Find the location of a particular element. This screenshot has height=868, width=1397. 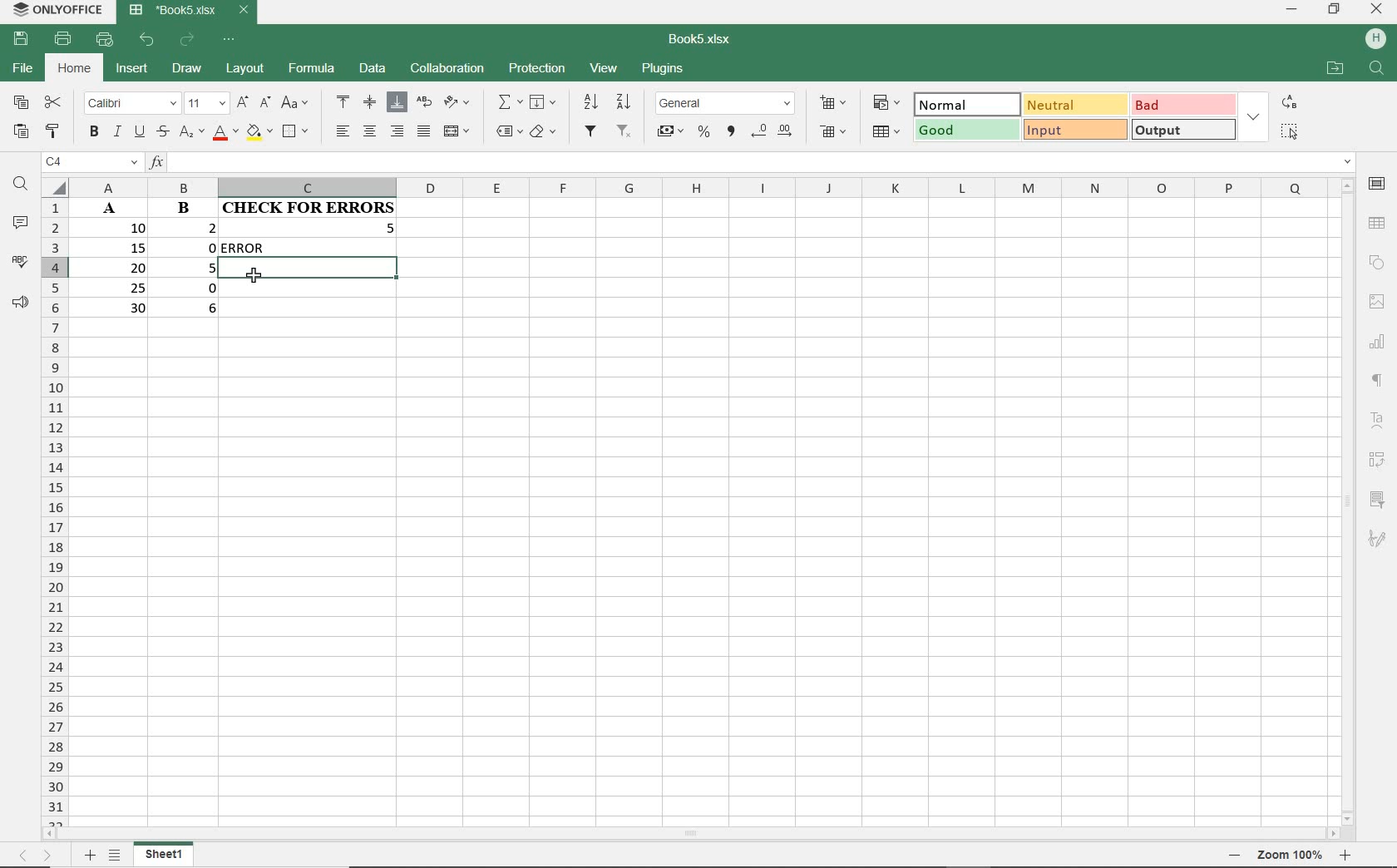

CELL SETTINGS is located at coordinates (1377, 186).